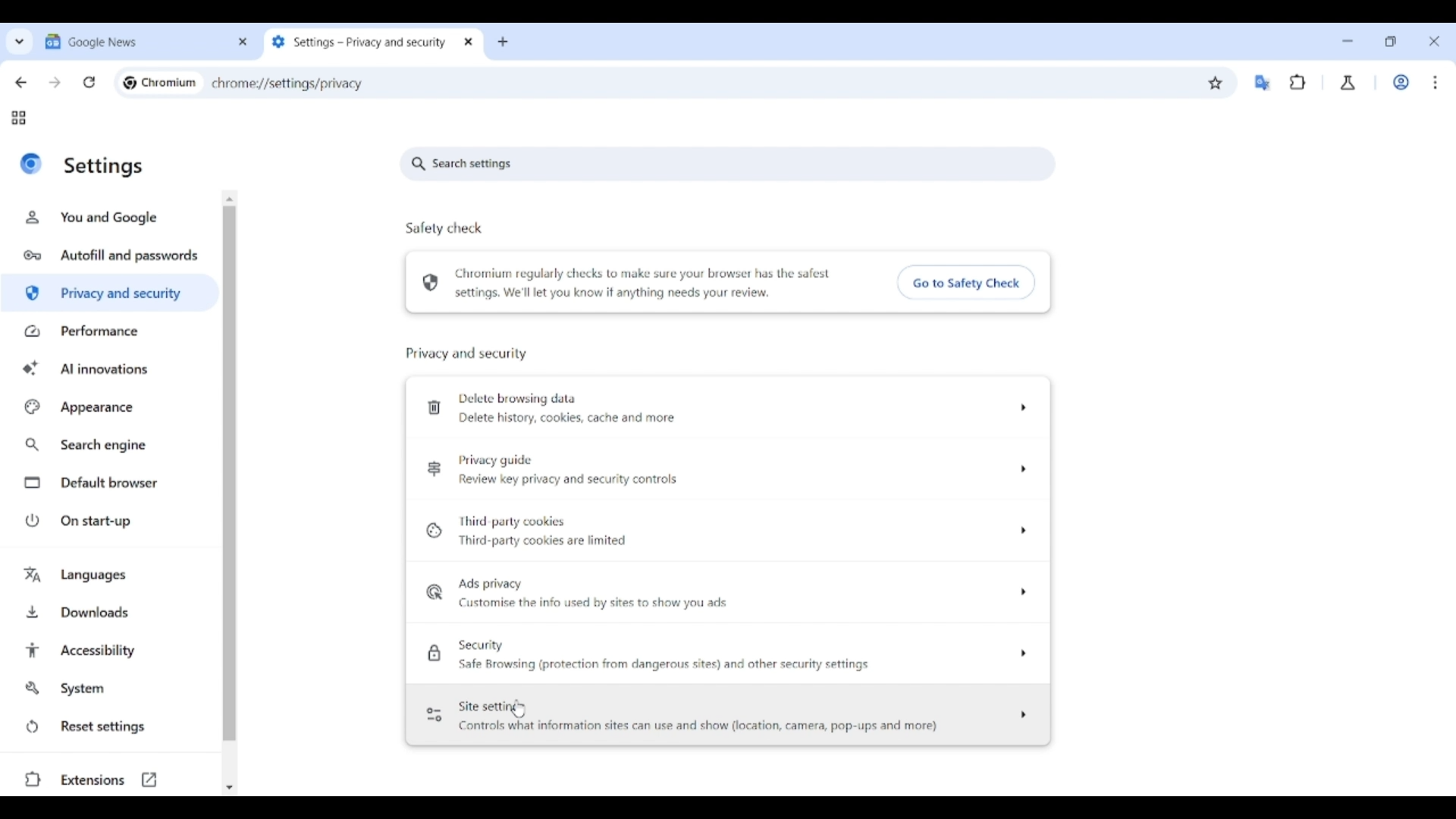 Image resolution: width=1456 pixels, height=819 pixels. Describe the element at coordinates (111, 576) in the screenshot. I see `Languages` at that location.